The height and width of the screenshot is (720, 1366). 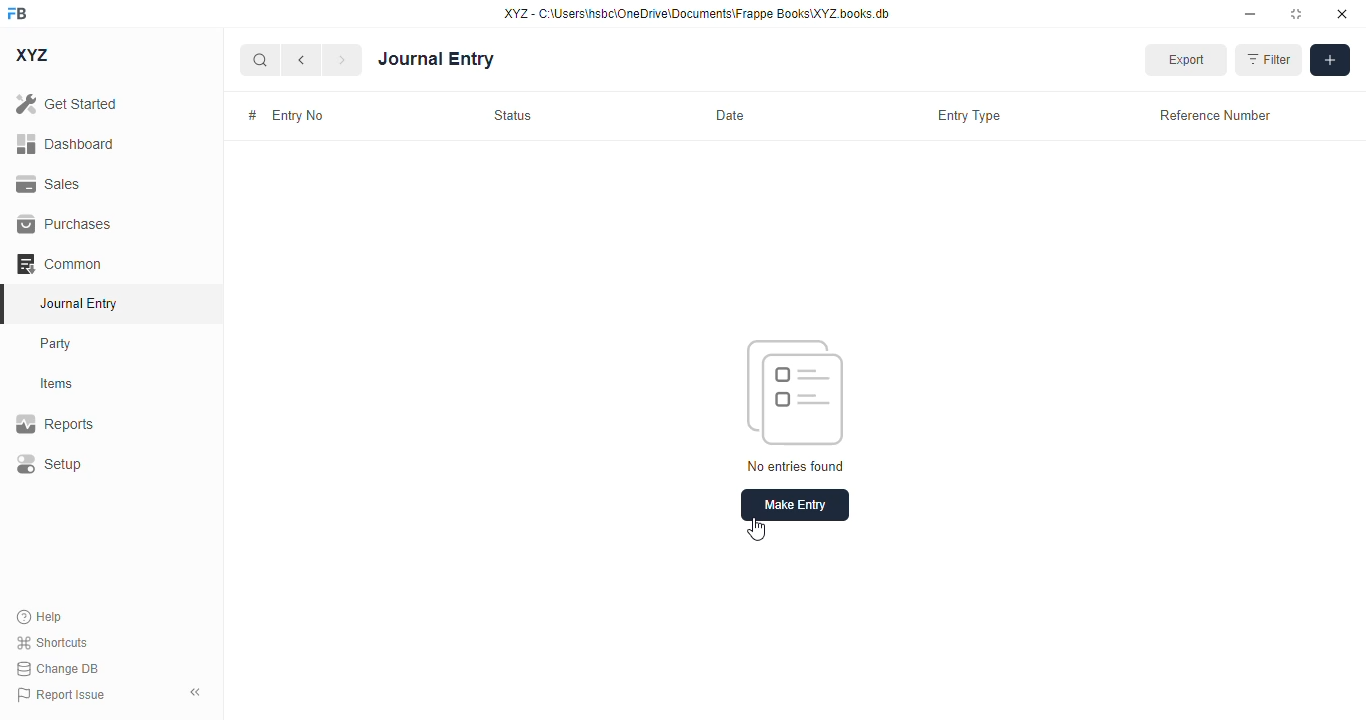 I want to click on add, so click(x=1330, y=60).